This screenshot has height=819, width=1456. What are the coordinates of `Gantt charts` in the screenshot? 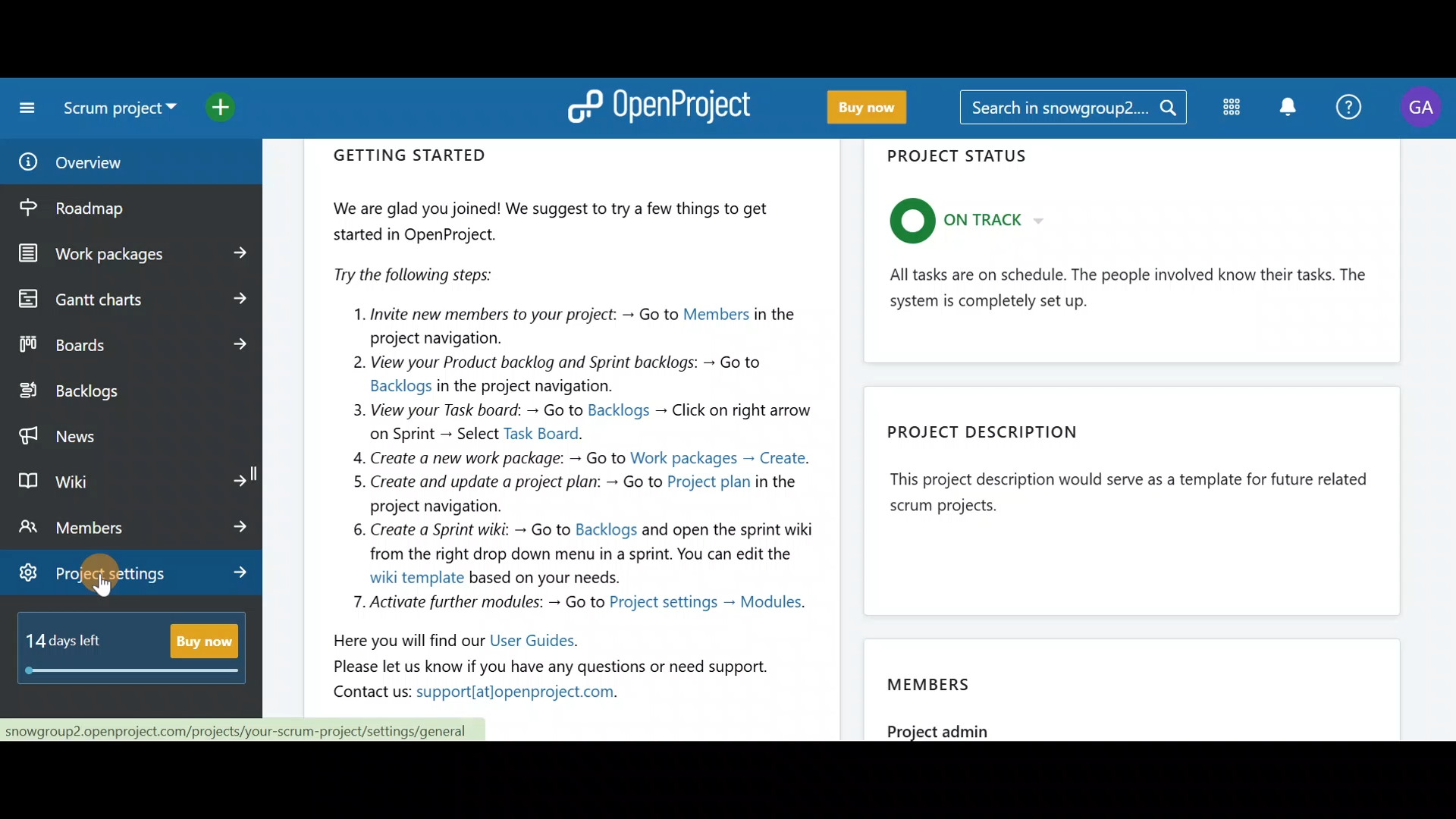 It's located at (129, 297).